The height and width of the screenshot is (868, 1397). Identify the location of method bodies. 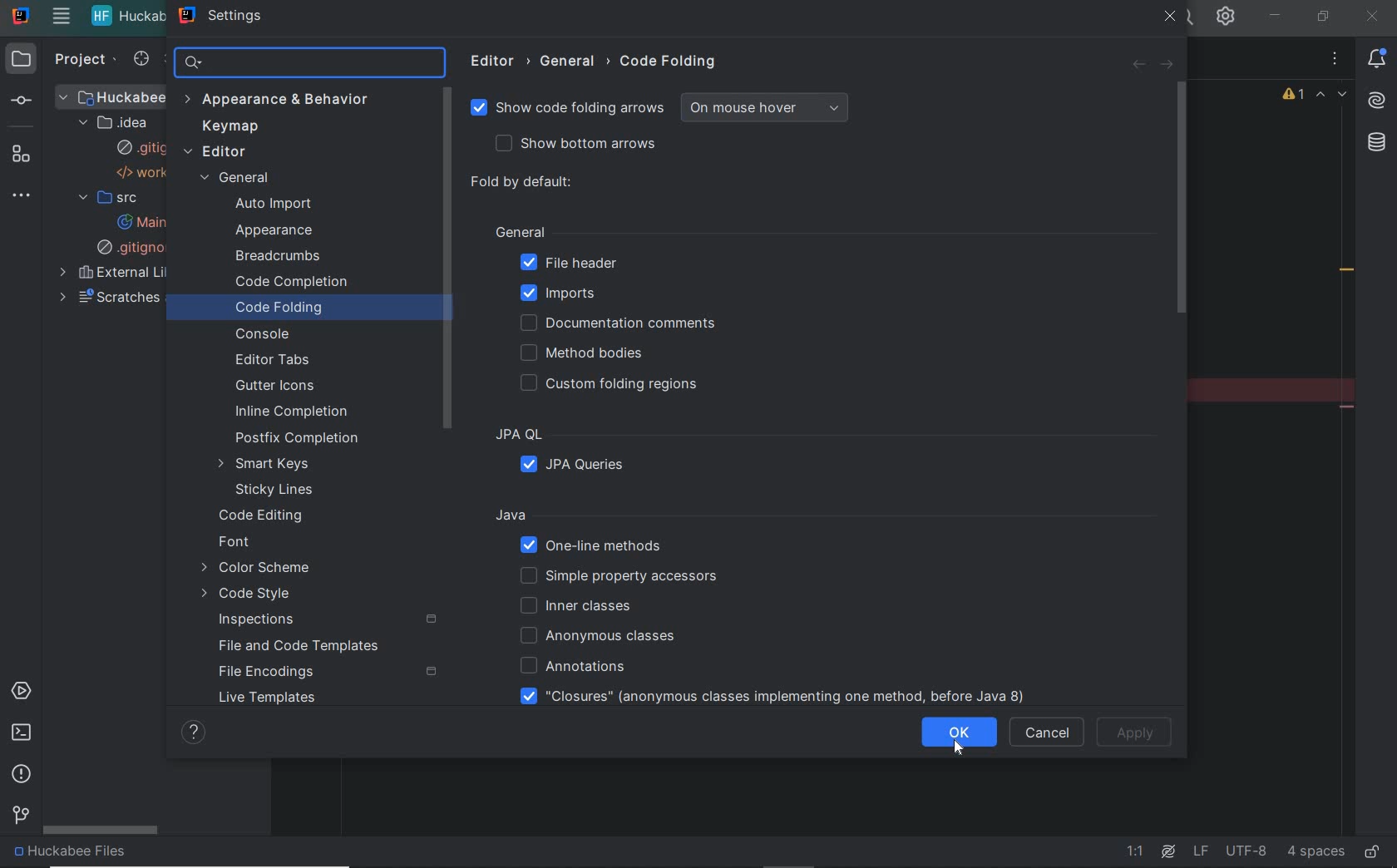
(591, 355).